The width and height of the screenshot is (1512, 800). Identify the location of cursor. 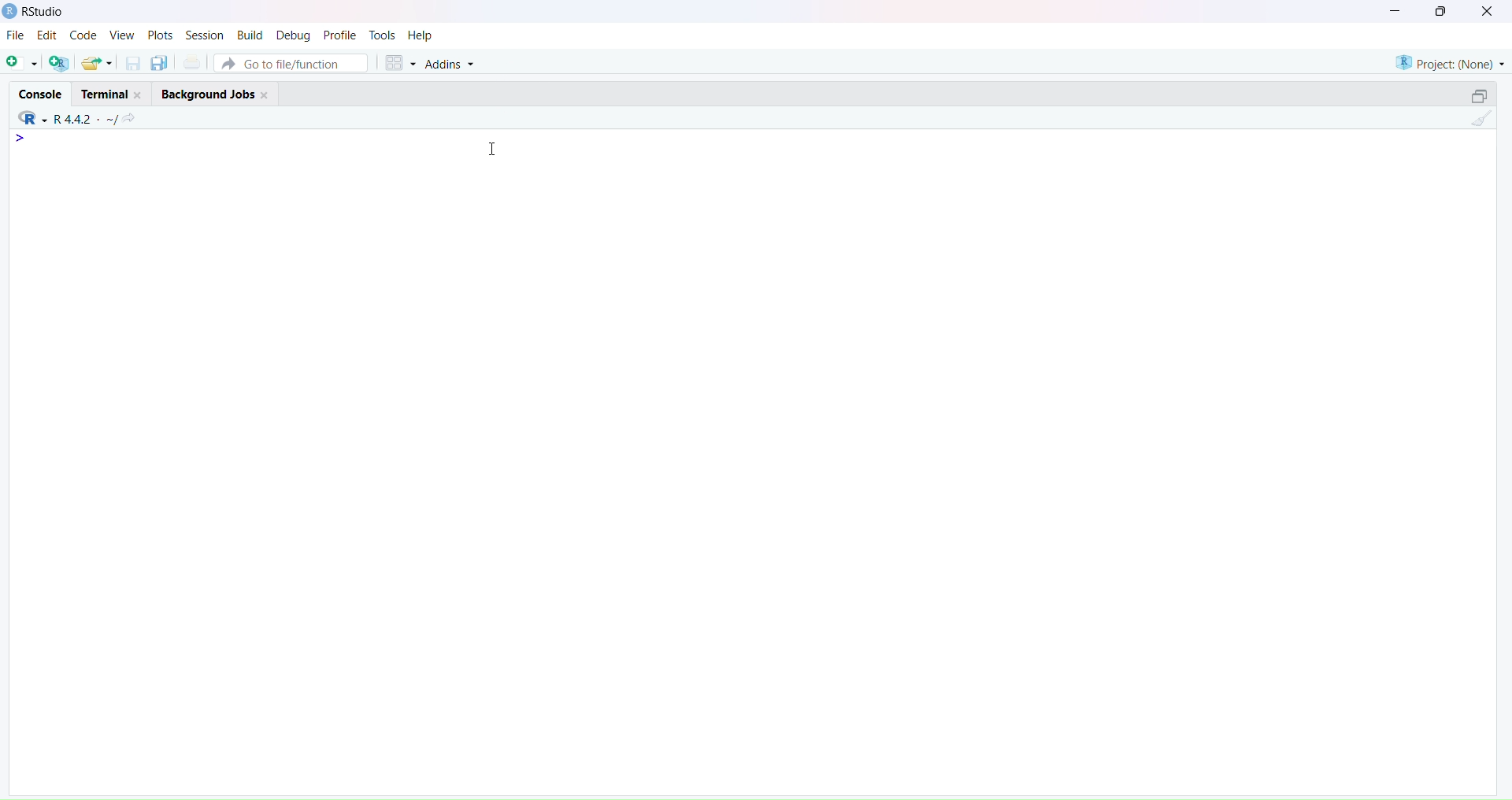
(494, 150).